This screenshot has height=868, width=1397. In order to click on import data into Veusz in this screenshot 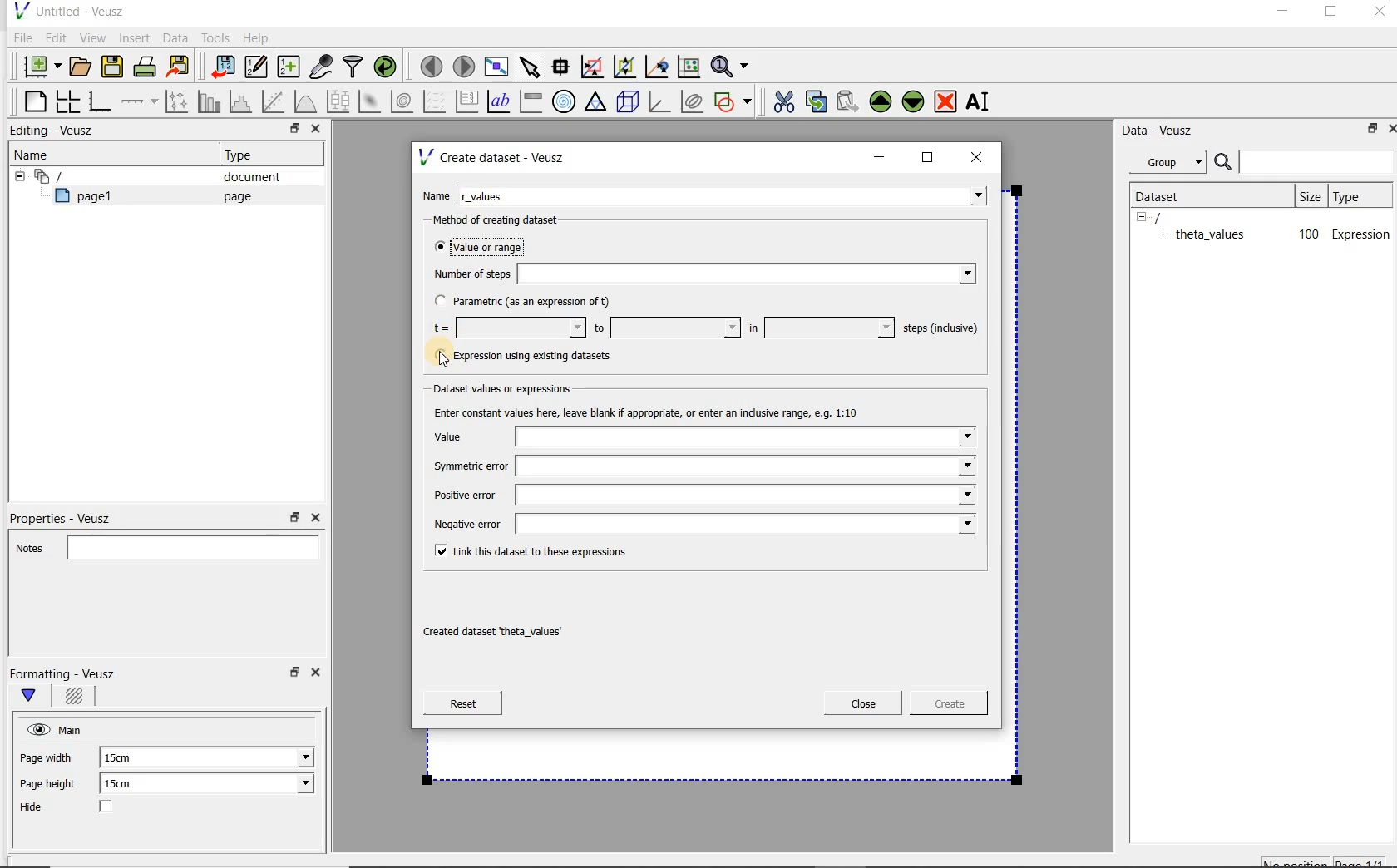, I will do `click(221, 67)`.